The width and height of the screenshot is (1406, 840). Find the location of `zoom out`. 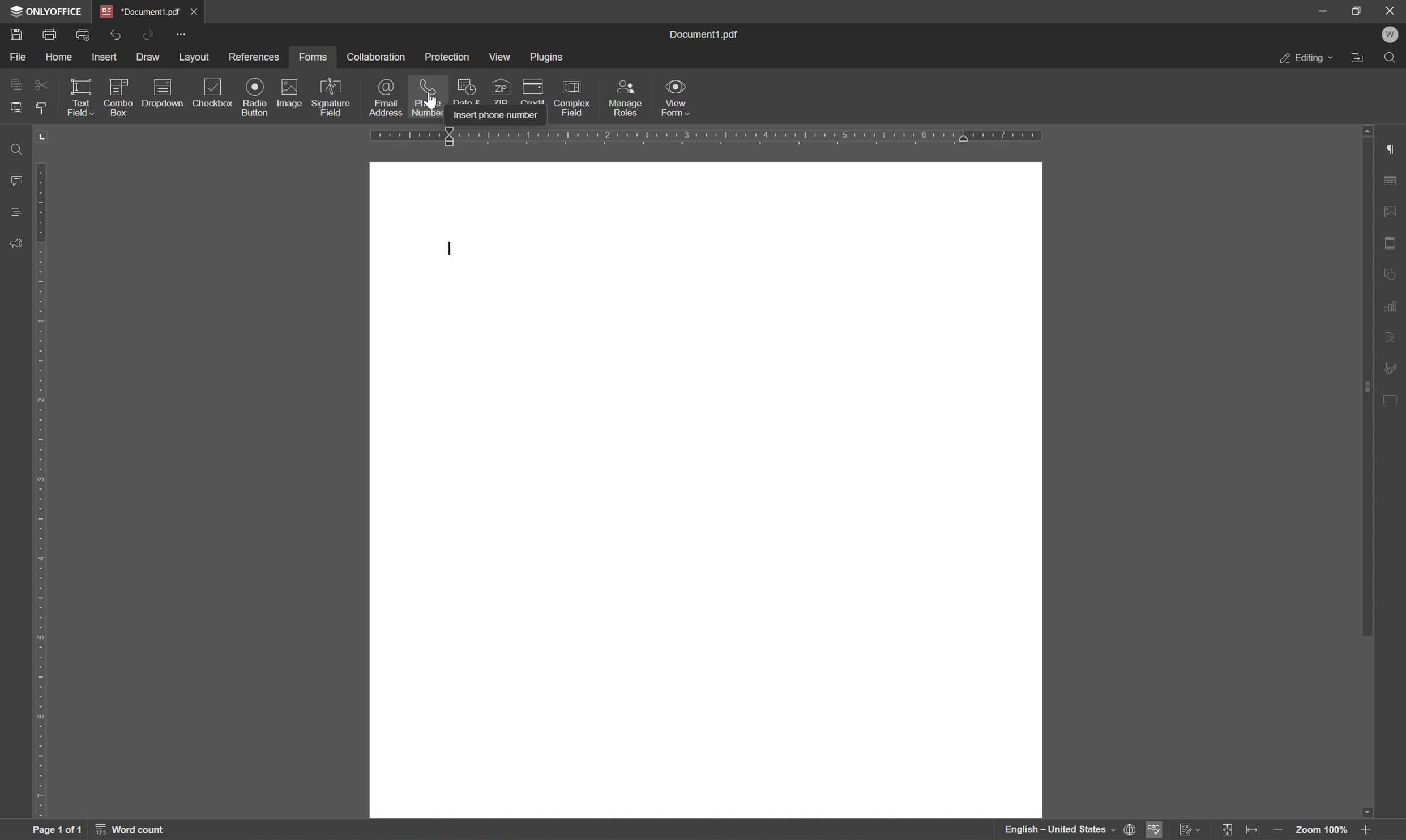

zoom out is located at coordinates (1280, 832).